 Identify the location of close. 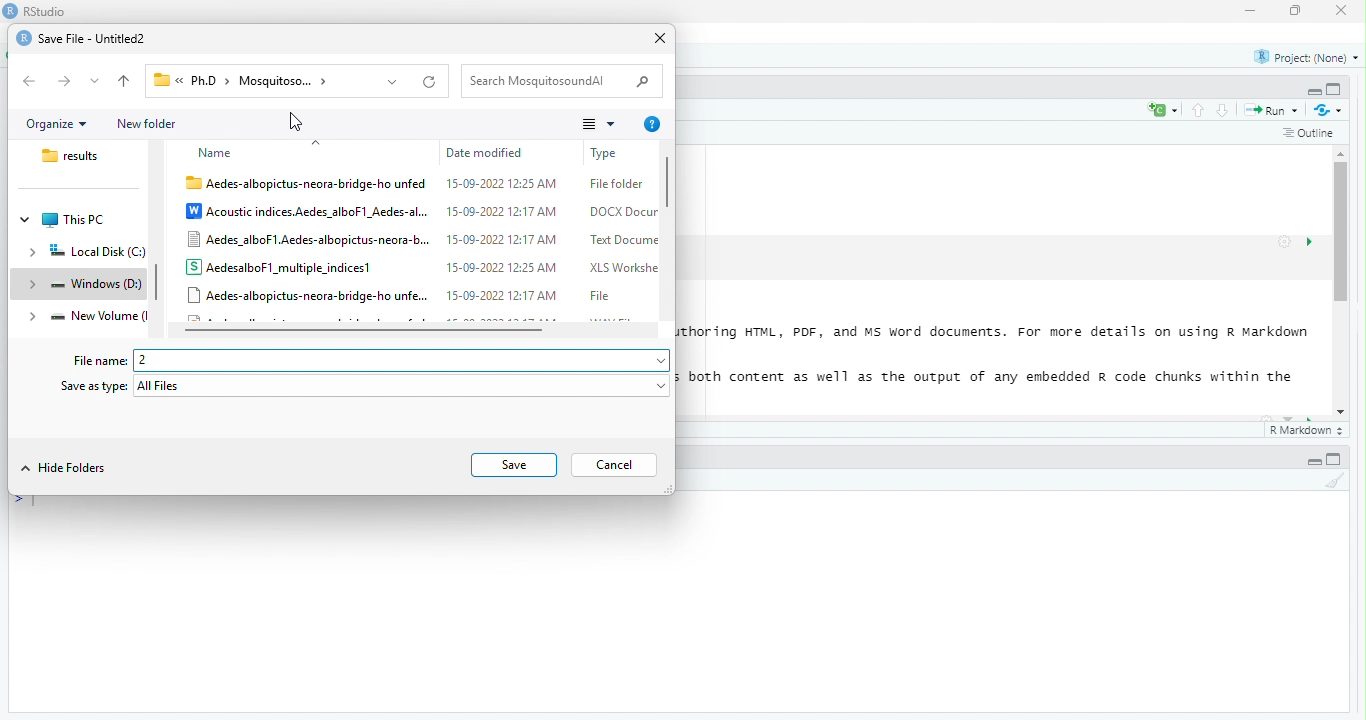
(662, 39).